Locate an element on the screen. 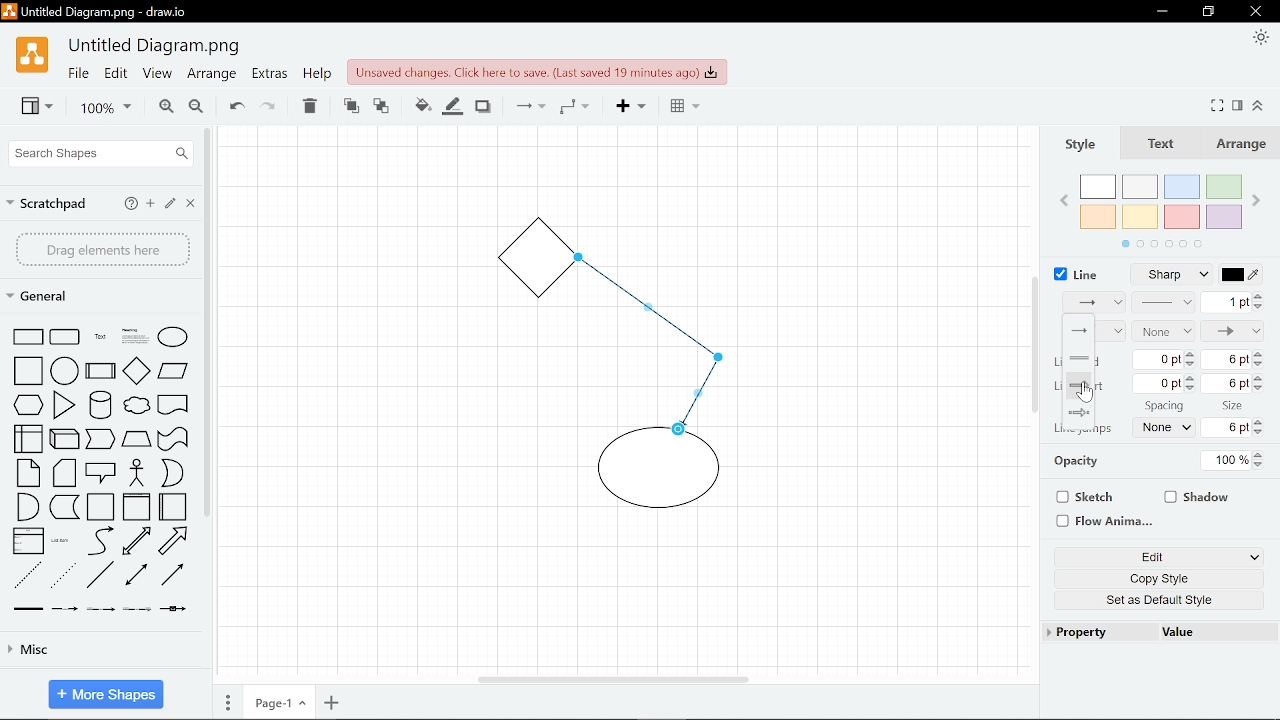 This screenshot has height=720, width=1280. Fill color is located at coordinates (418, 104).